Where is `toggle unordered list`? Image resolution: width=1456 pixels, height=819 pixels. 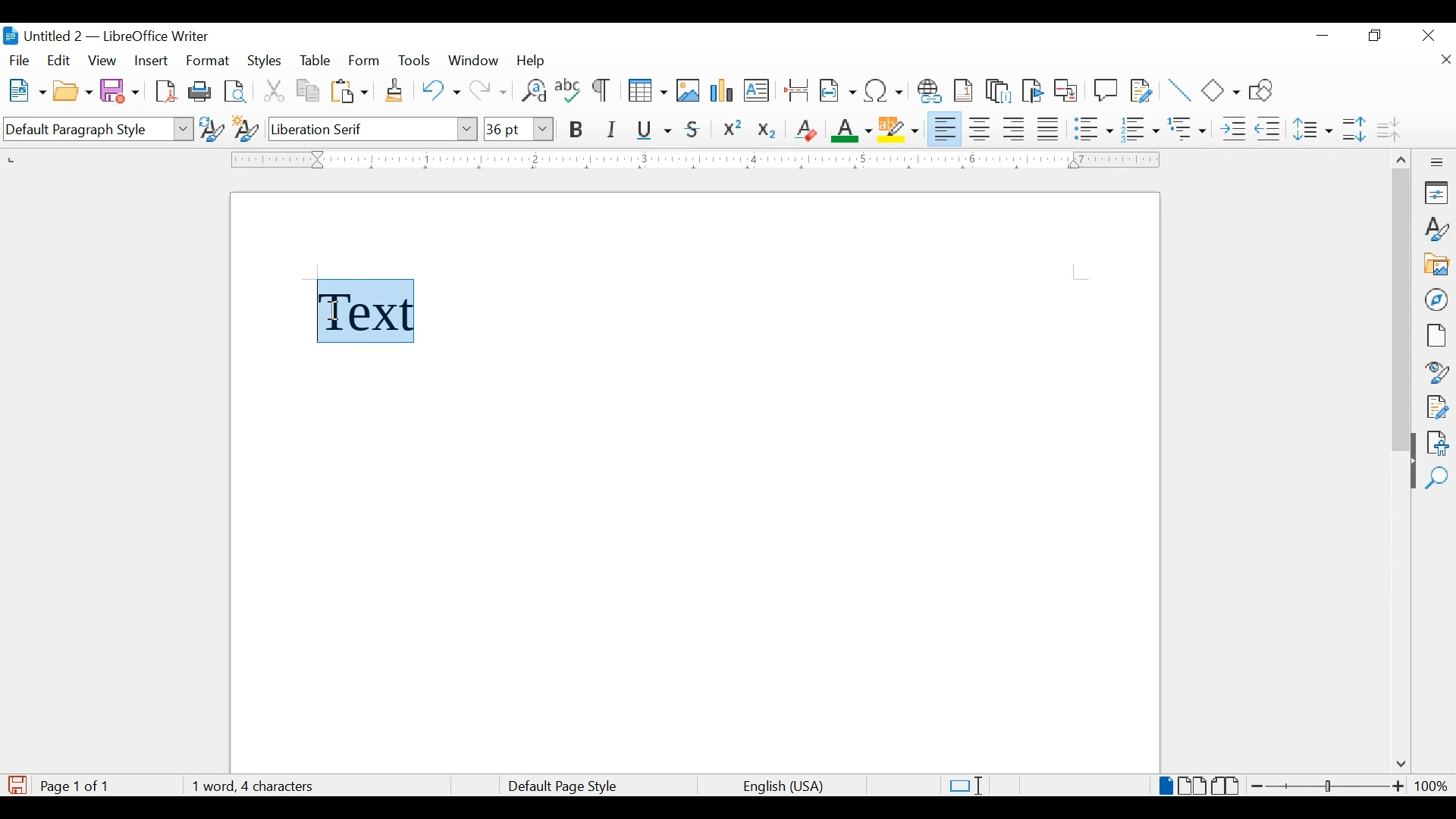 toggle unordered list is located at coordinates (1094, 128).